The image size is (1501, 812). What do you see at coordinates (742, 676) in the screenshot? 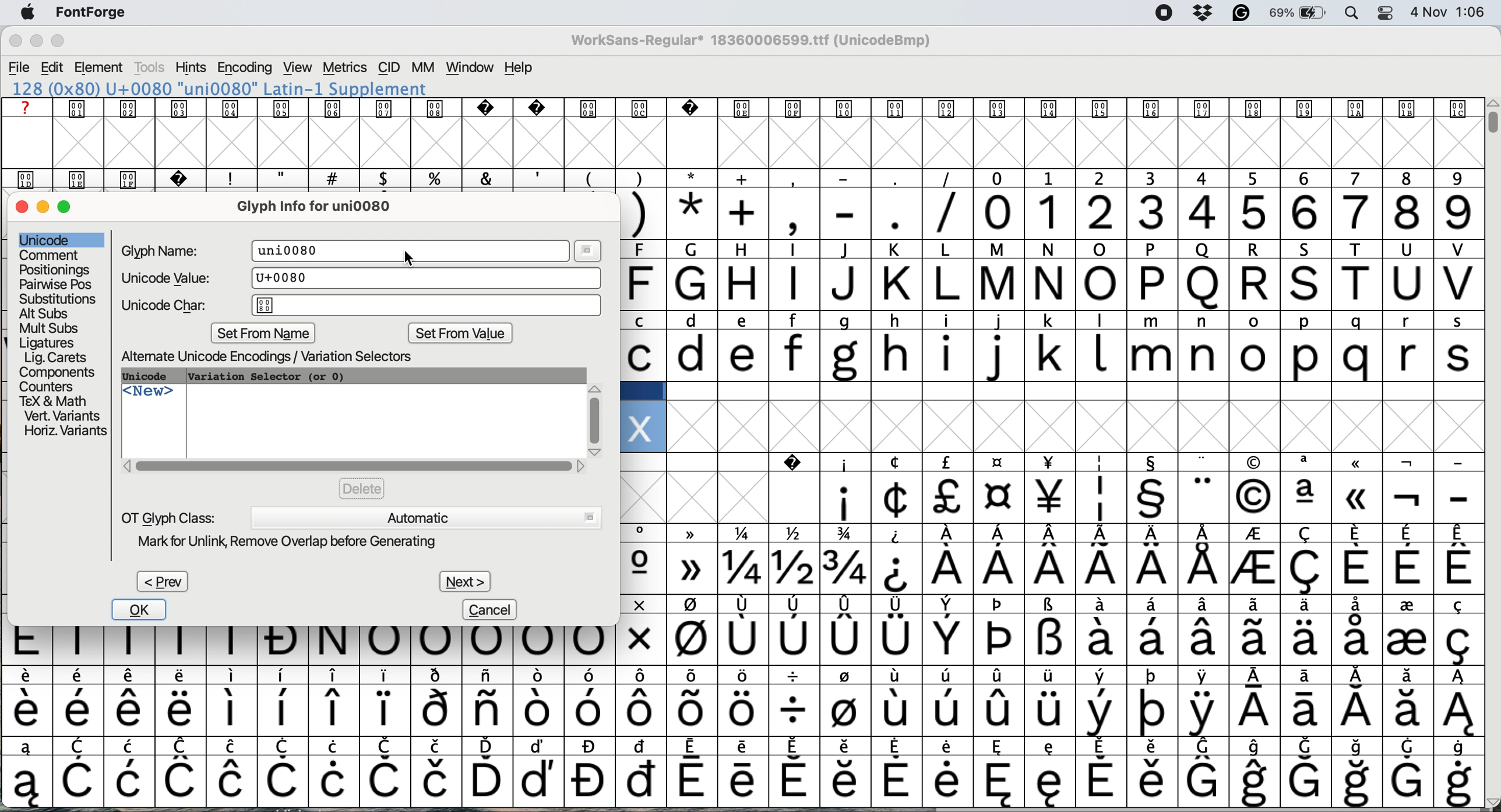
I see `special characters` at bounding box center [742, 676].